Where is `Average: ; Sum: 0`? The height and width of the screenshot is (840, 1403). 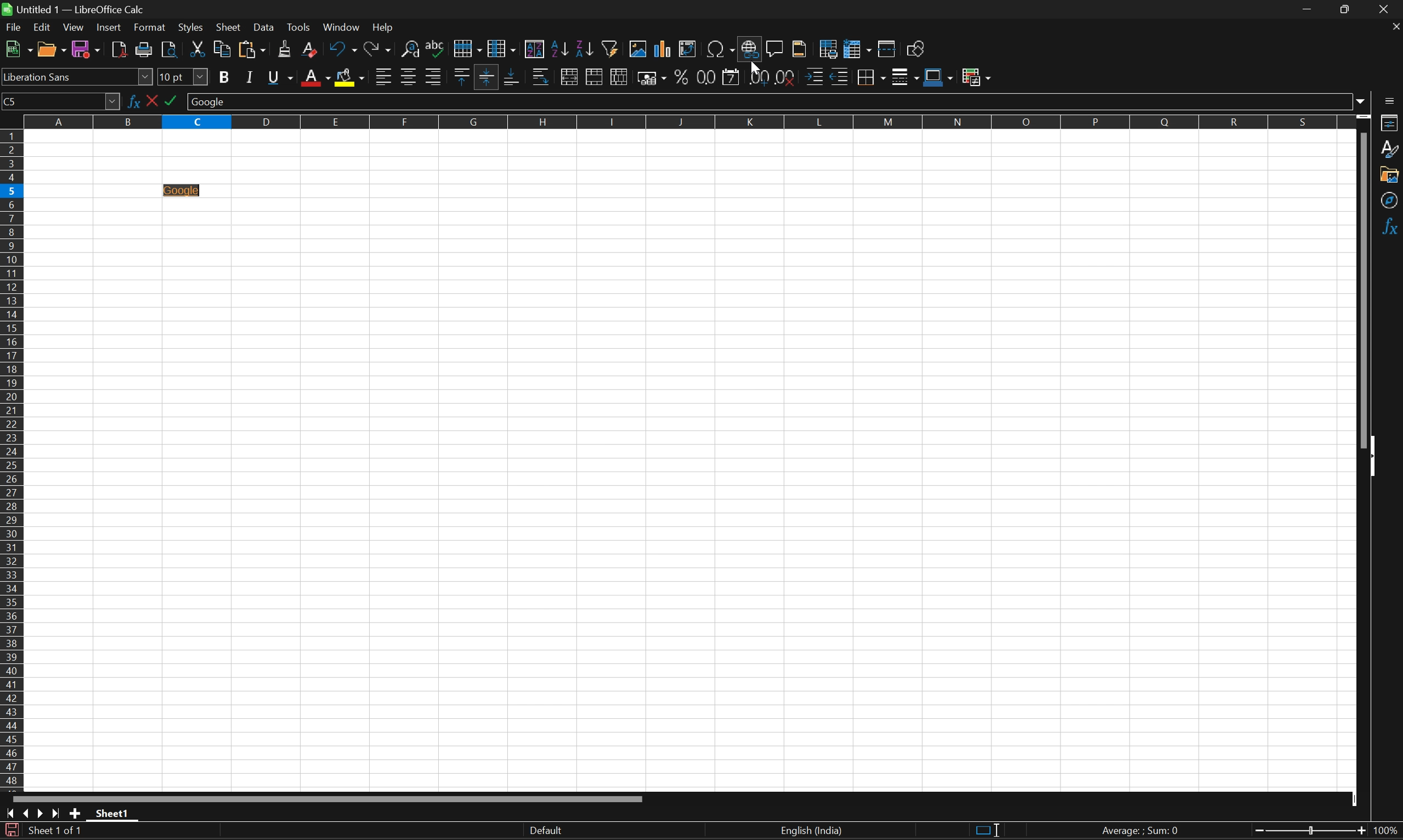
Average: ; Sum: 0 is located at coordinates (1143, 832).